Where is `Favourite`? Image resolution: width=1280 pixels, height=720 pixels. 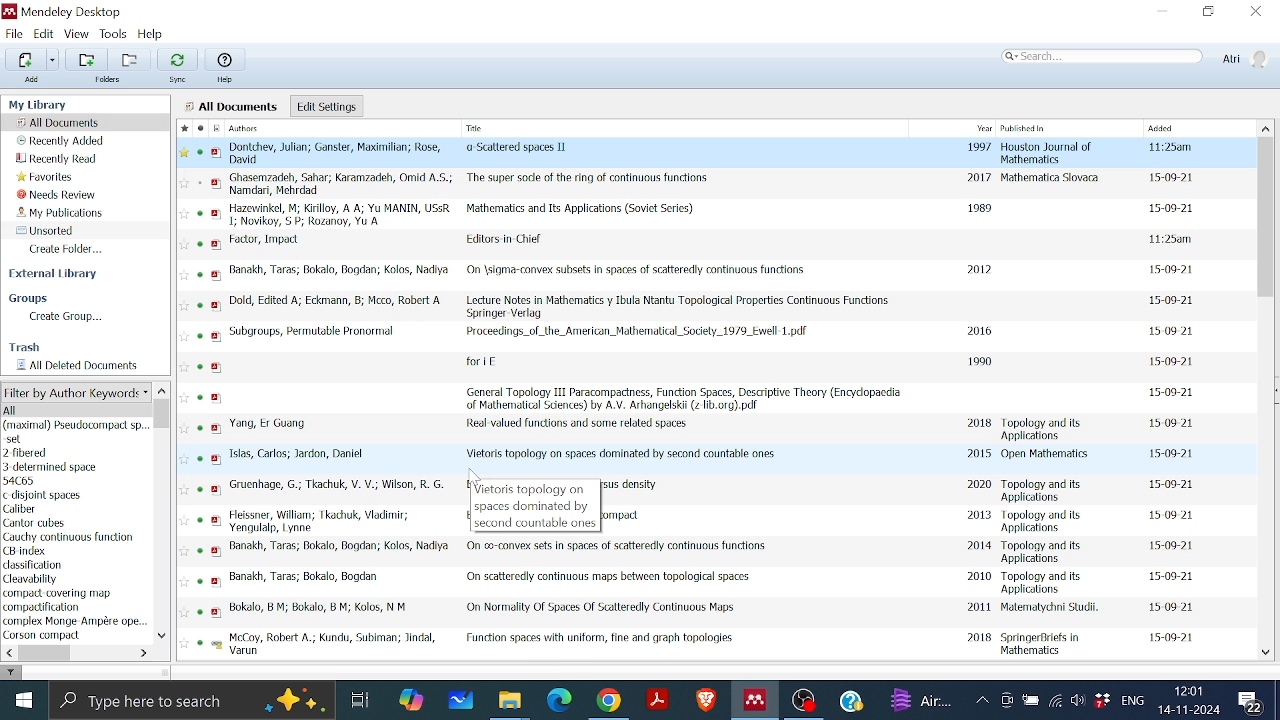 Favourite is located at coordinates (184, 397).